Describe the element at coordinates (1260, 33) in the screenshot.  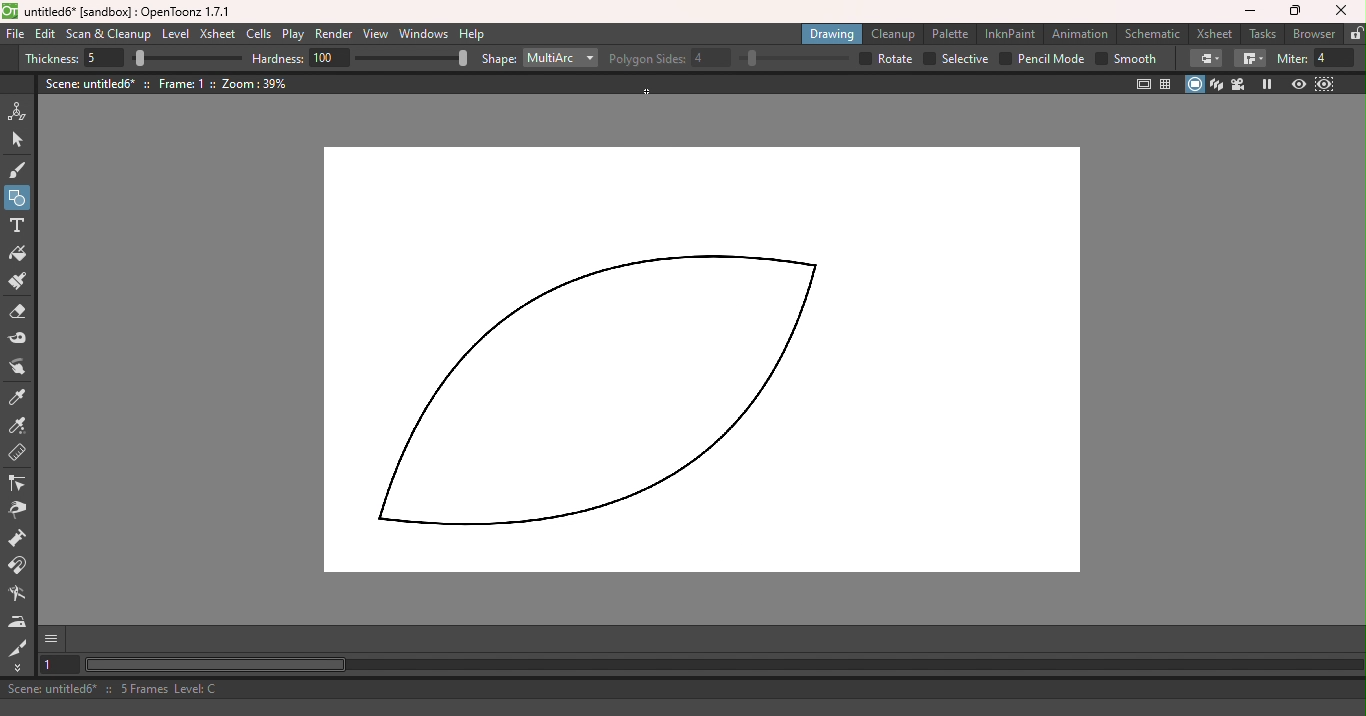
I see `Tasks` at that location.